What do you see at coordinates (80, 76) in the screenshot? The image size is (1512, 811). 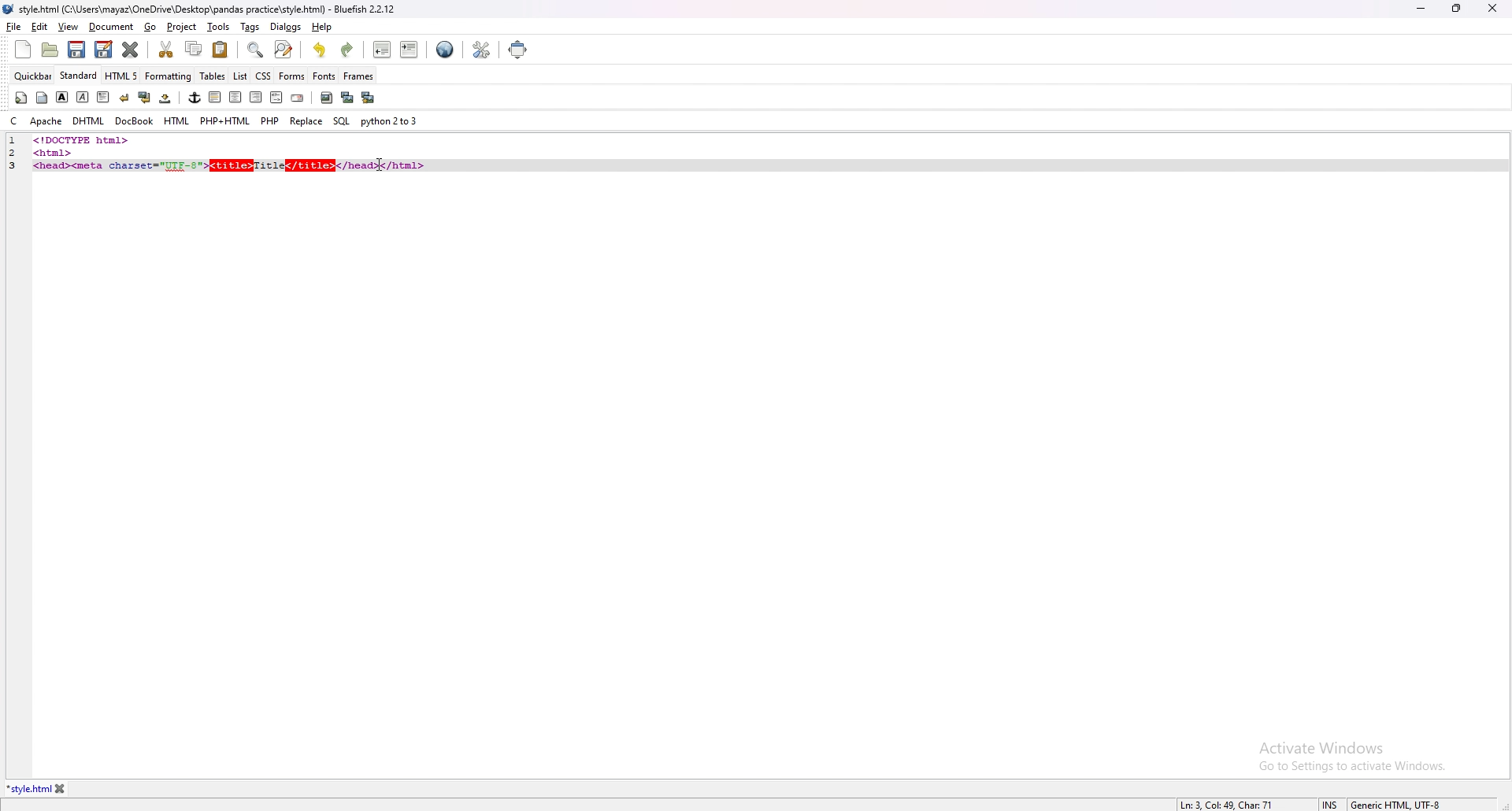 I see `standard` at bounding box center [80, 76].